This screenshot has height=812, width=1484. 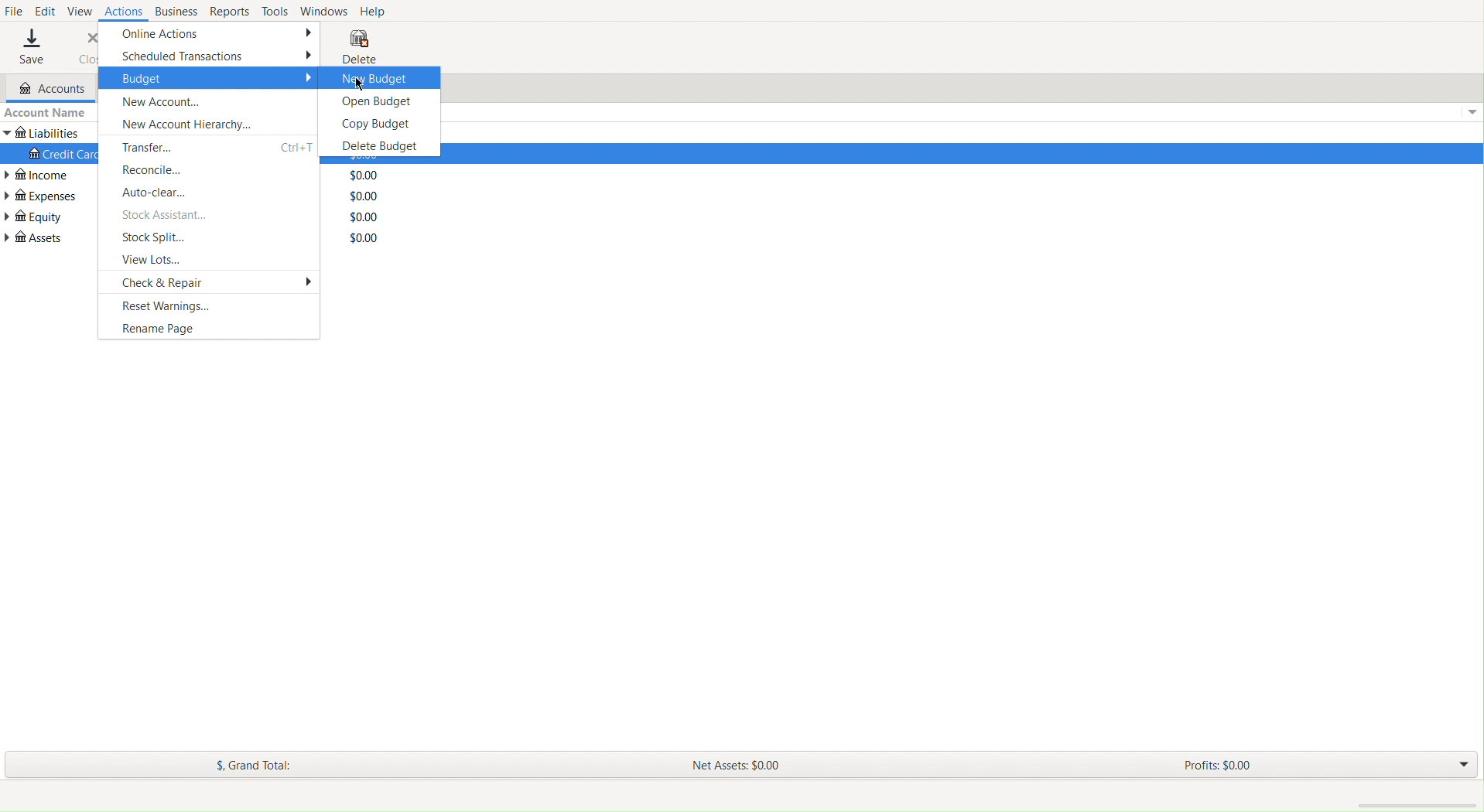 What do you see at coordinates (209, 78) in the screenshot?
I see `Budget` at bounding box center [209, 78].